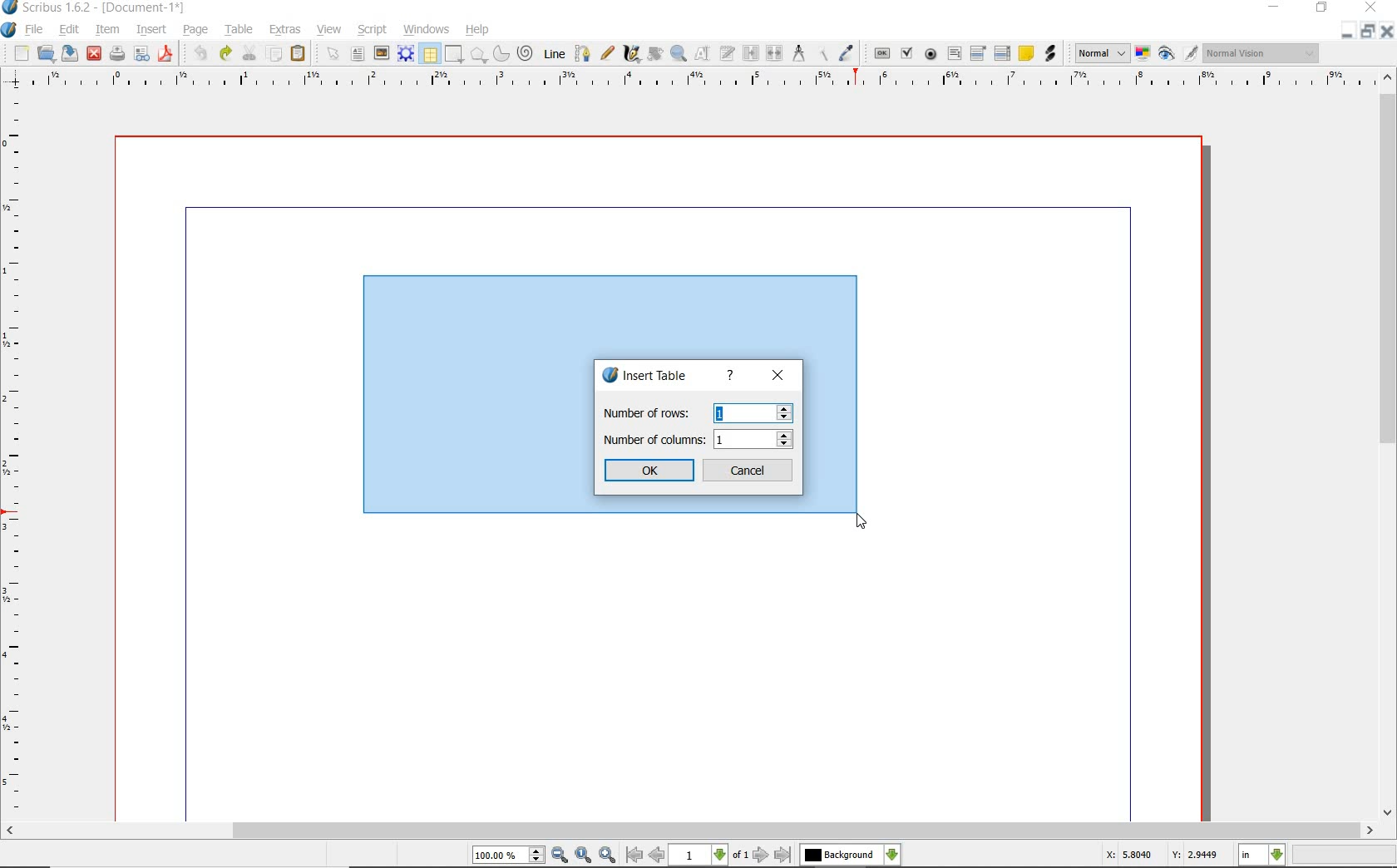 Image resolution: width=1397 pixels, height=868 pixels. Describe the element at coordinates (477, 30) in the screenshot. I see `help` at that location.